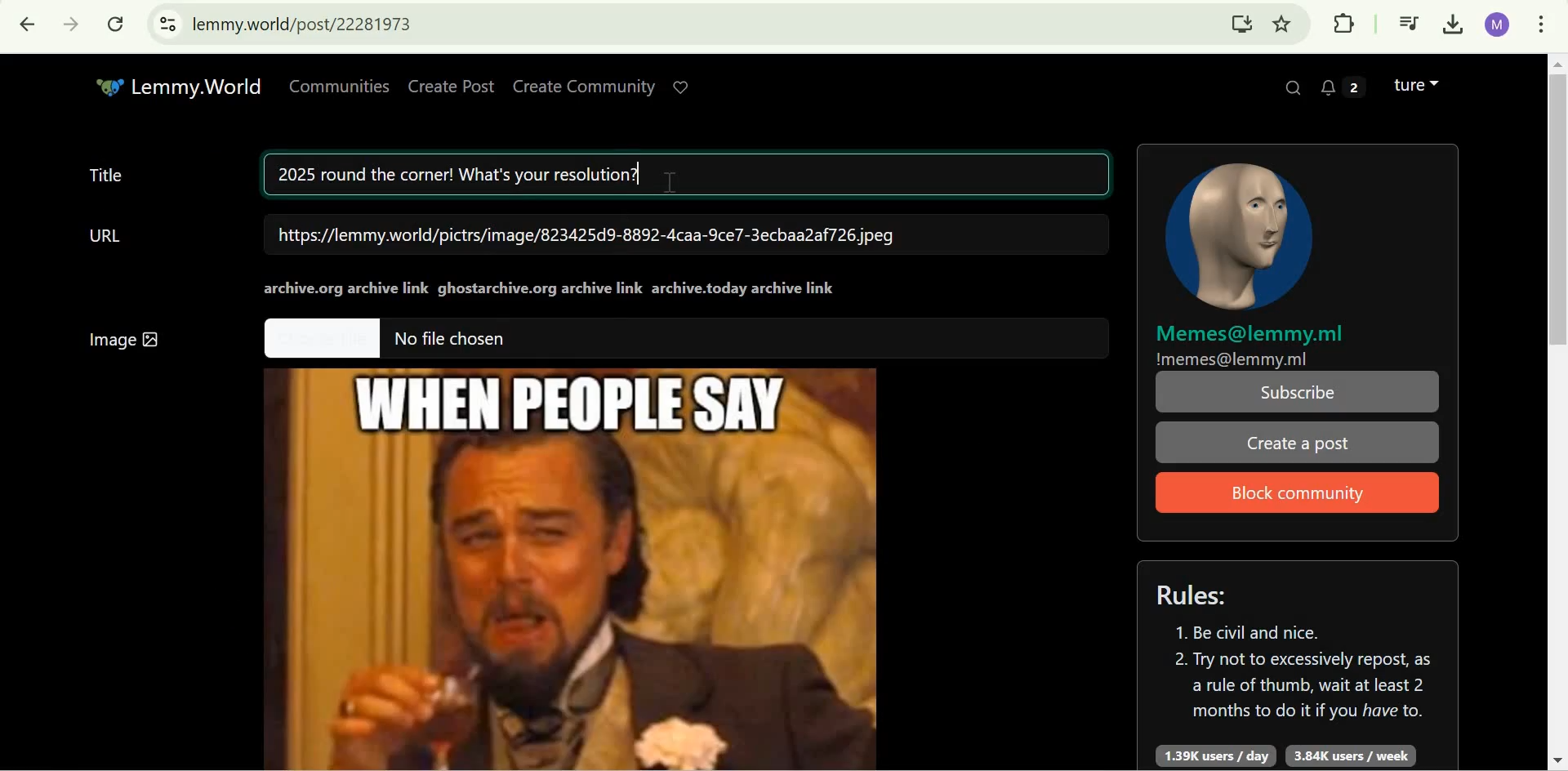  What do you see at coordinates (1343, 84) in the screenshot?
I see `2 unread messages` at bounding box center [1343, 84].